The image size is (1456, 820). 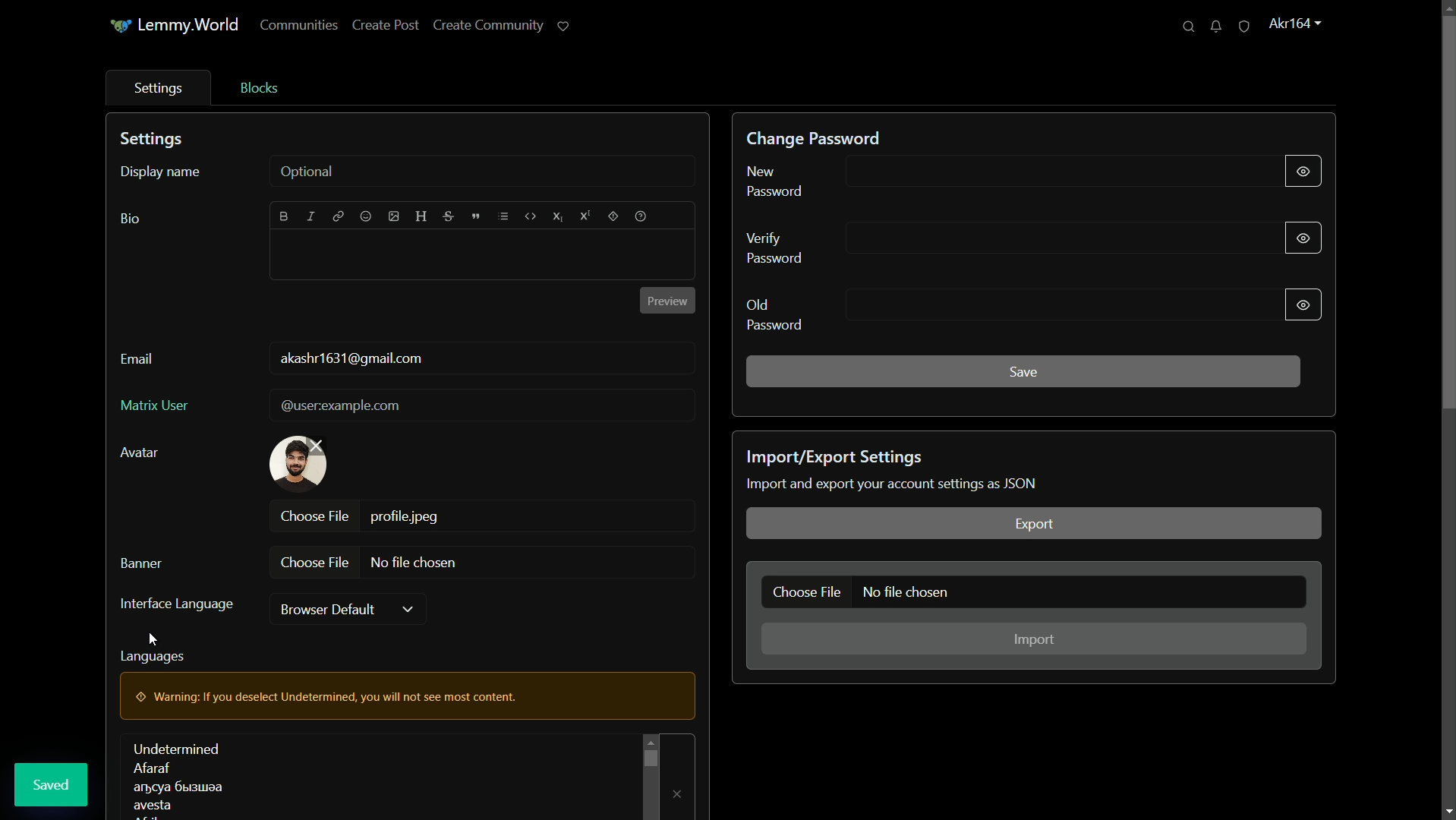 What do you see at coordinates (342, 406) in the screenshot?
I see `@userexample.com` at bounding box center [342, 406].